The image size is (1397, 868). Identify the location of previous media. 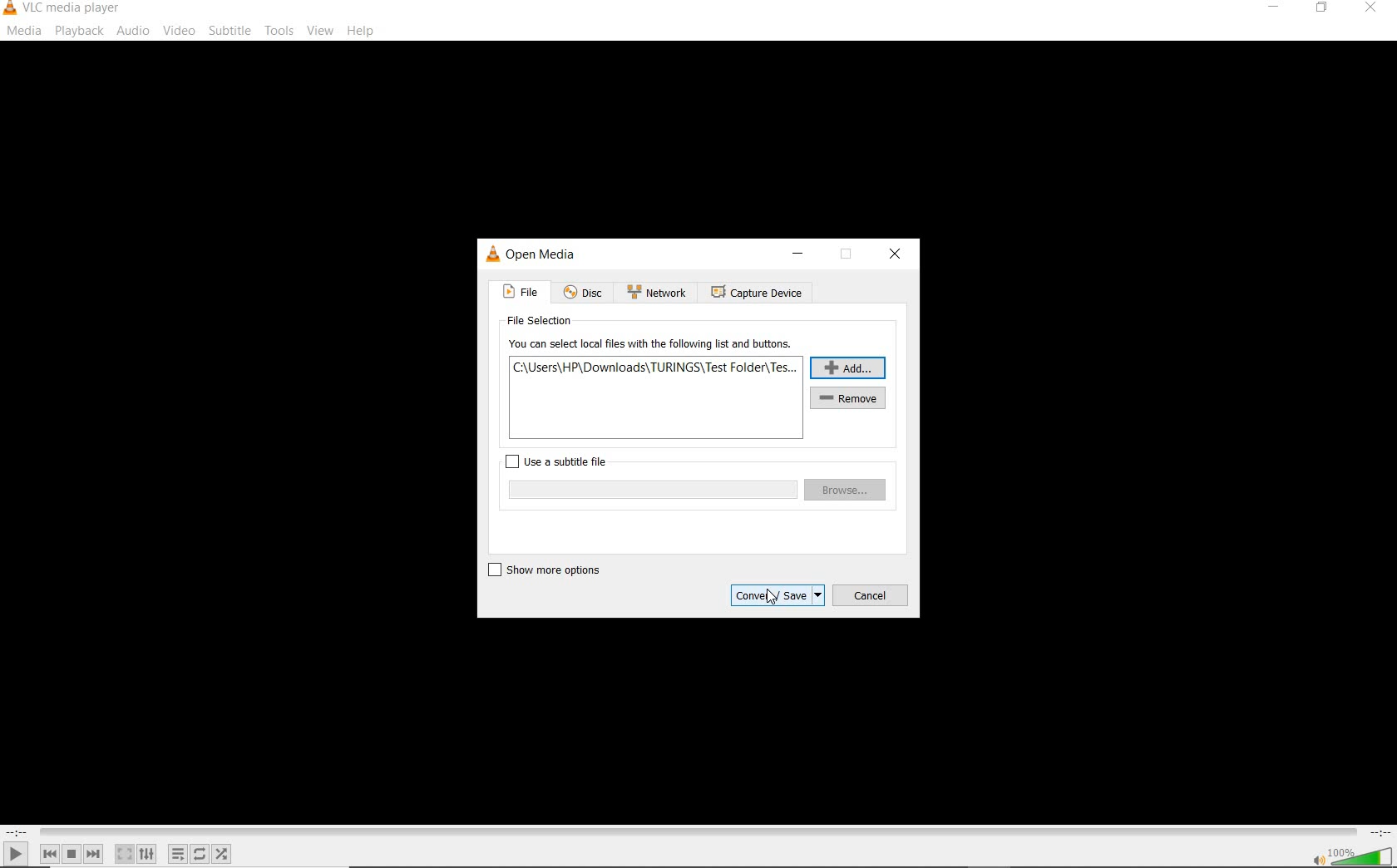
(49, 854).